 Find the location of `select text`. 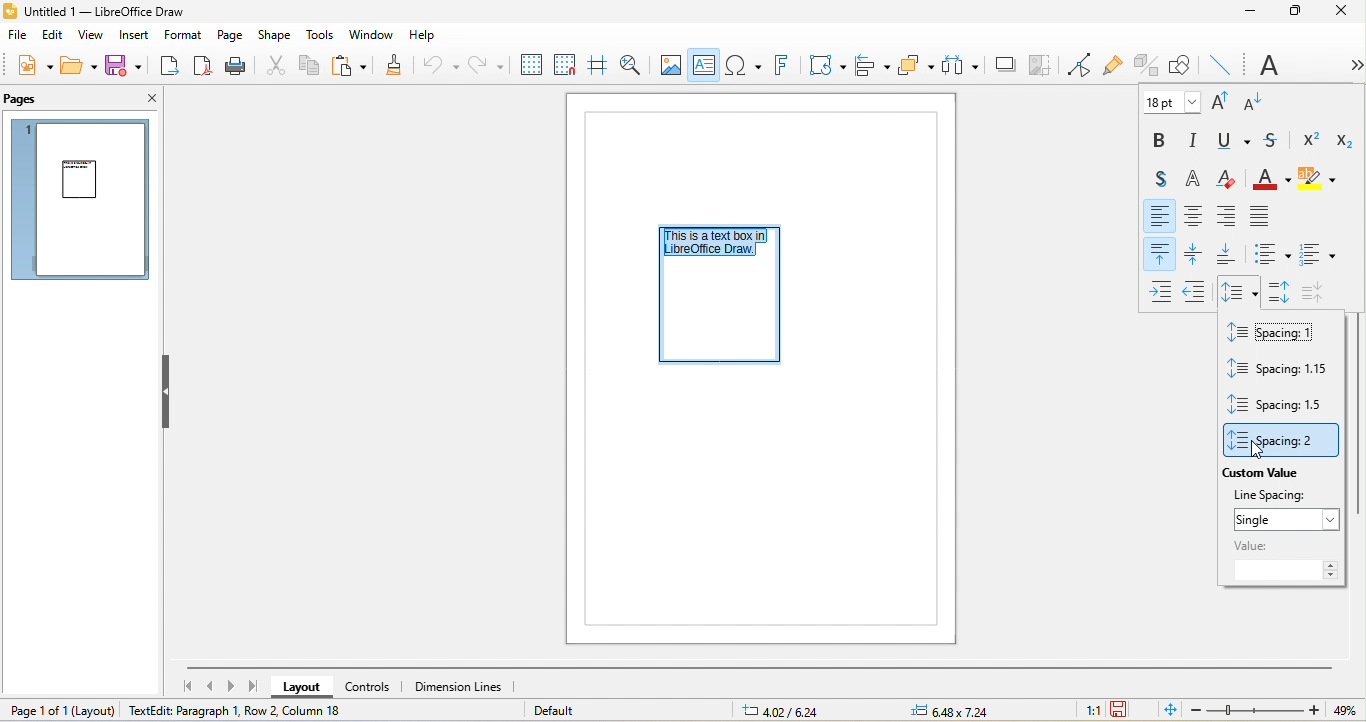

select text is located at coordinates (722, 245).